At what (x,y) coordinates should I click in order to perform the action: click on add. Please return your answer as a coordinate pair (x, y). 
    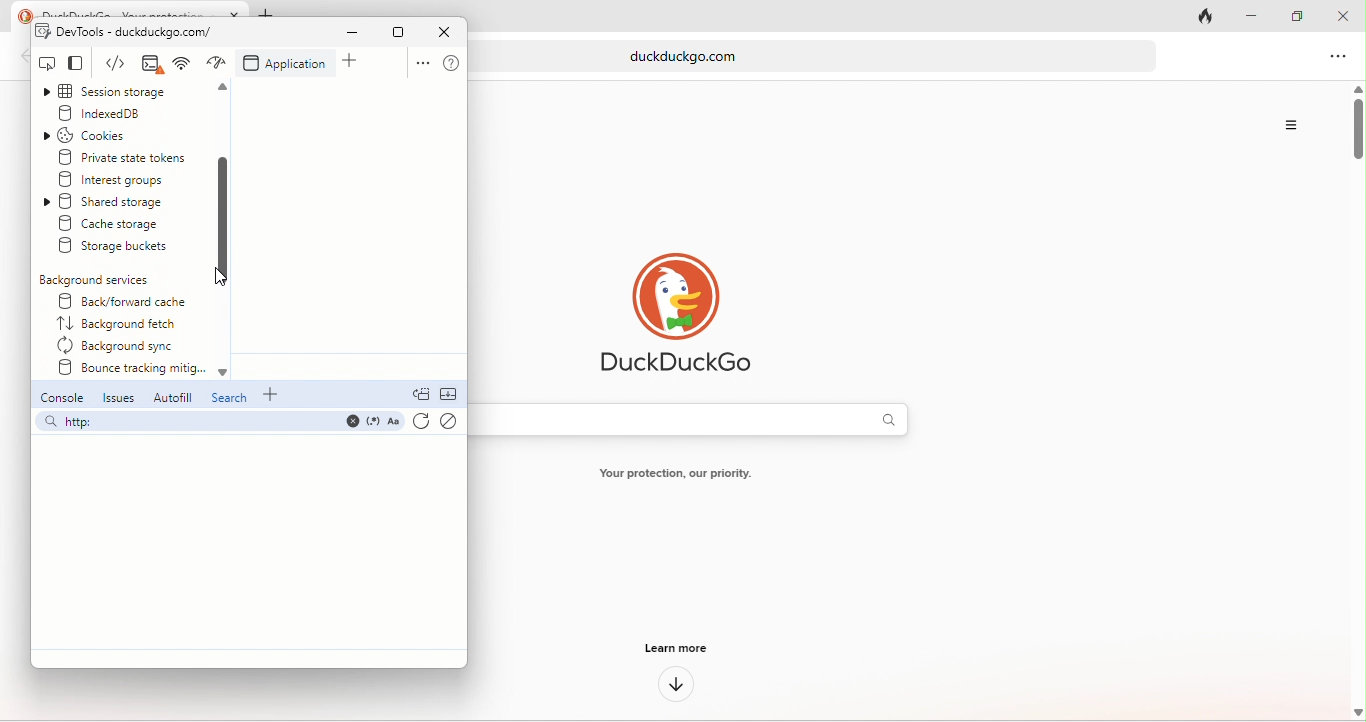
    Looking at the image, I should click on (356, 63).